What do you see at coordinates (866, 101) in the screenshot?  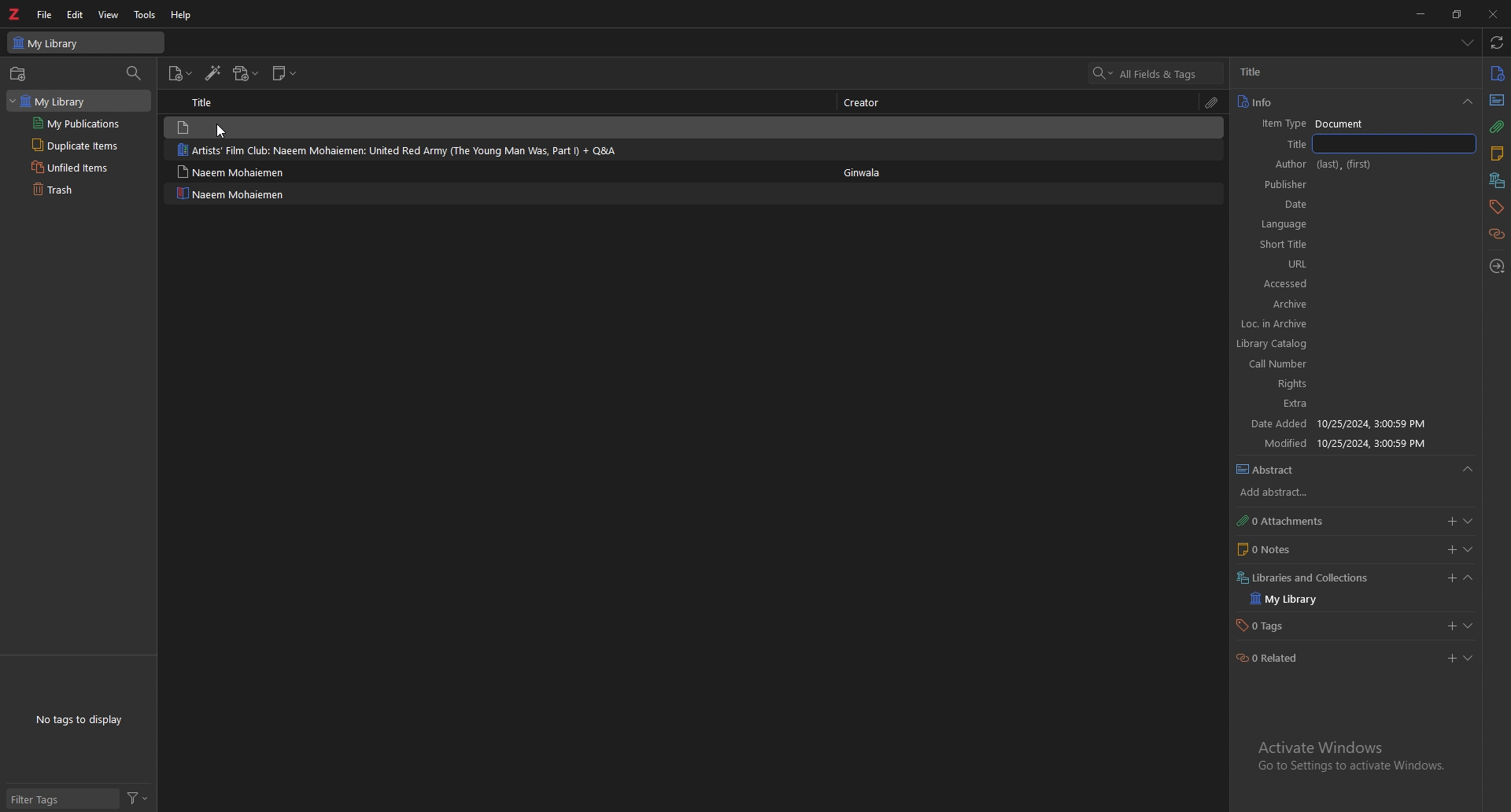 I see `creator` at bounding box center [866, 101].